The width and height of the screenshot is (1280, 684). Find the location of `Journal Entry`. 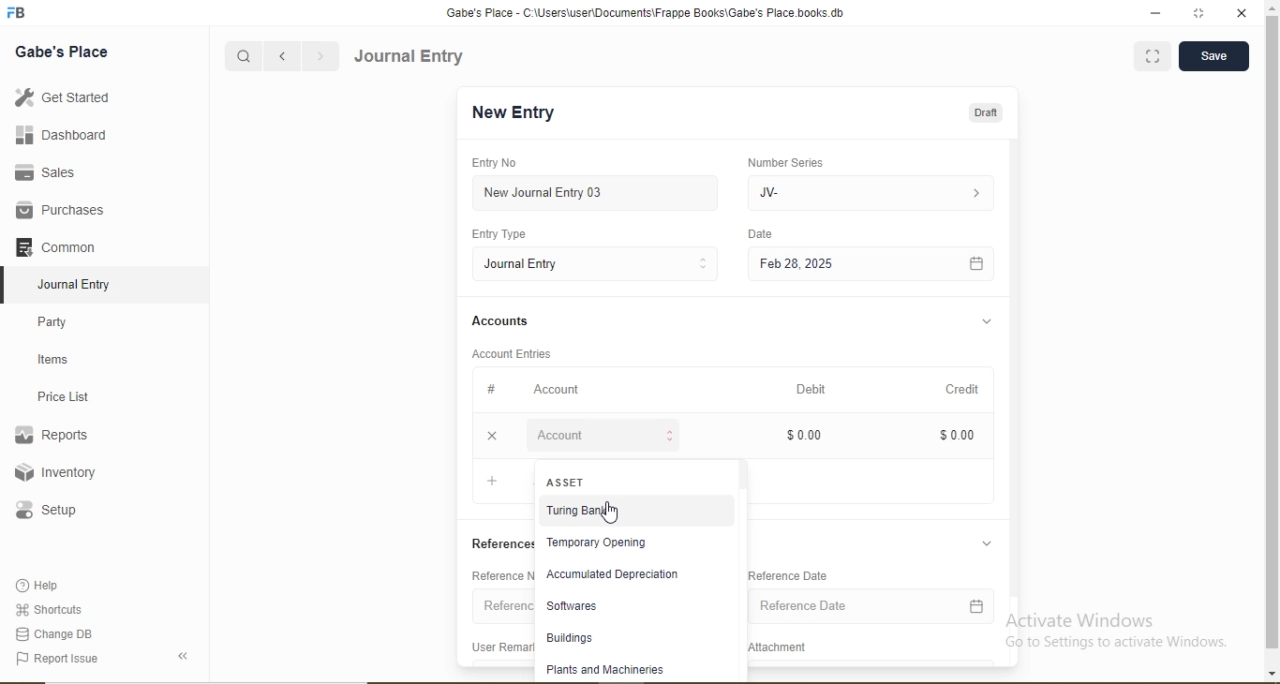

Journal Entry is located at coordinates (526, 264).